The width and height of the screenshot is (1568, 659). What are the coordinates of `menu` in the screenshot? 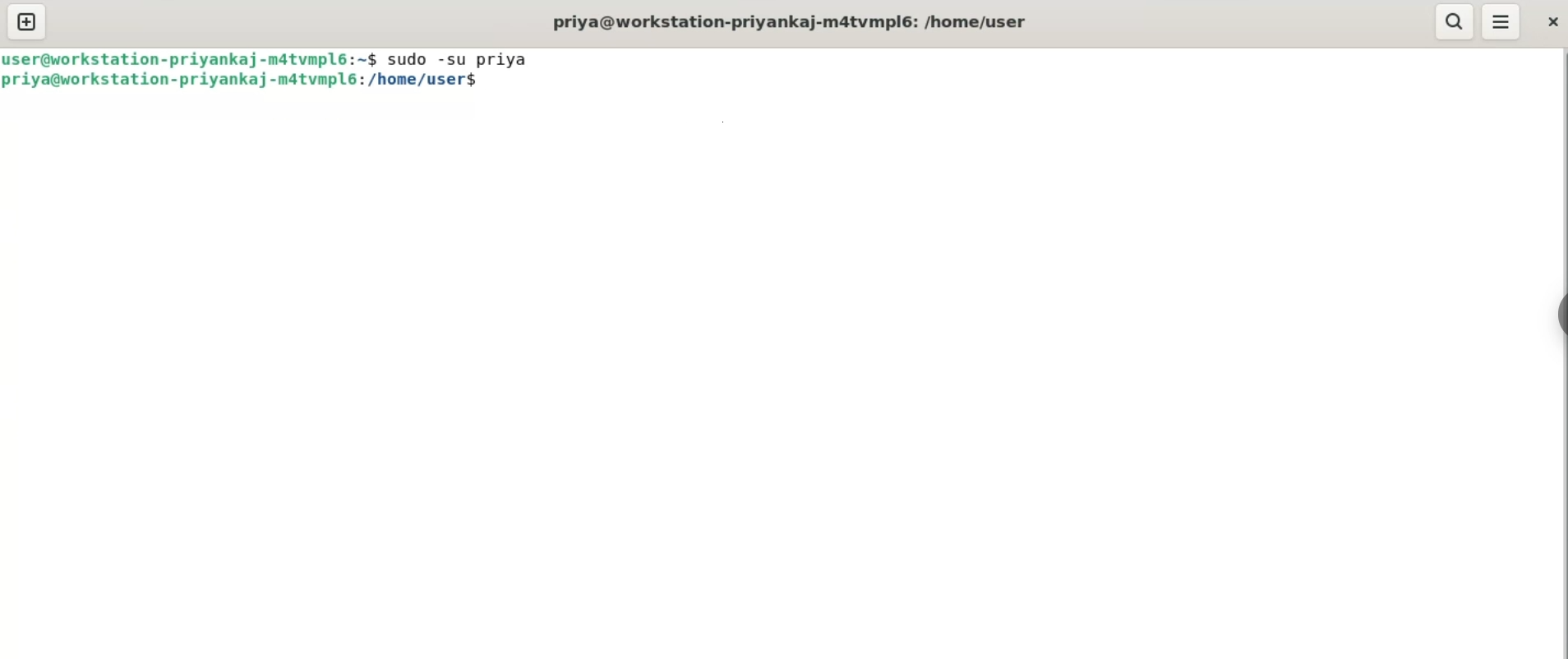 It's located at (1502, 21).